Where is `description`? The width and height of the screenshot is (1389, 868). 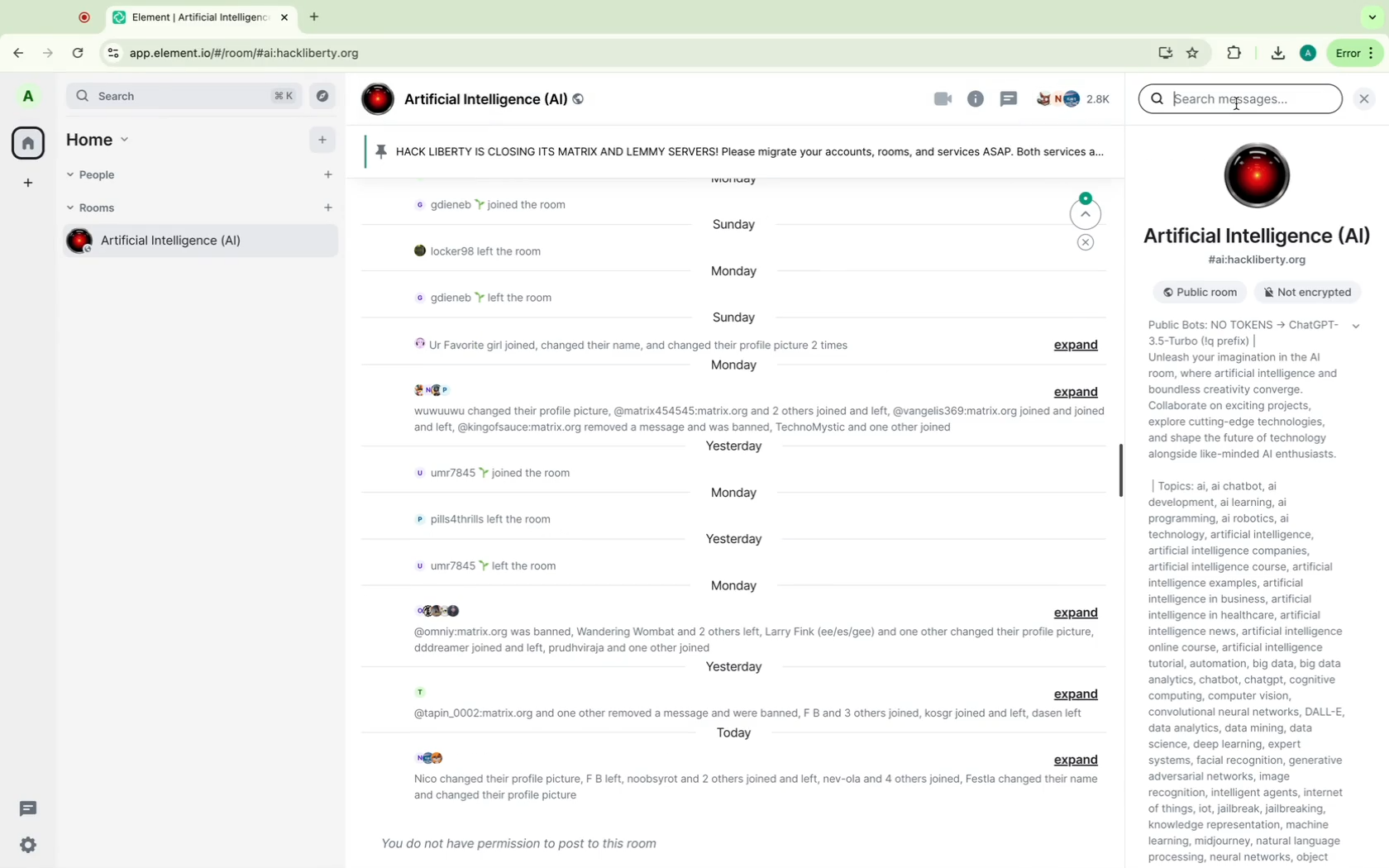
description is located at coordinates (1247, 393).